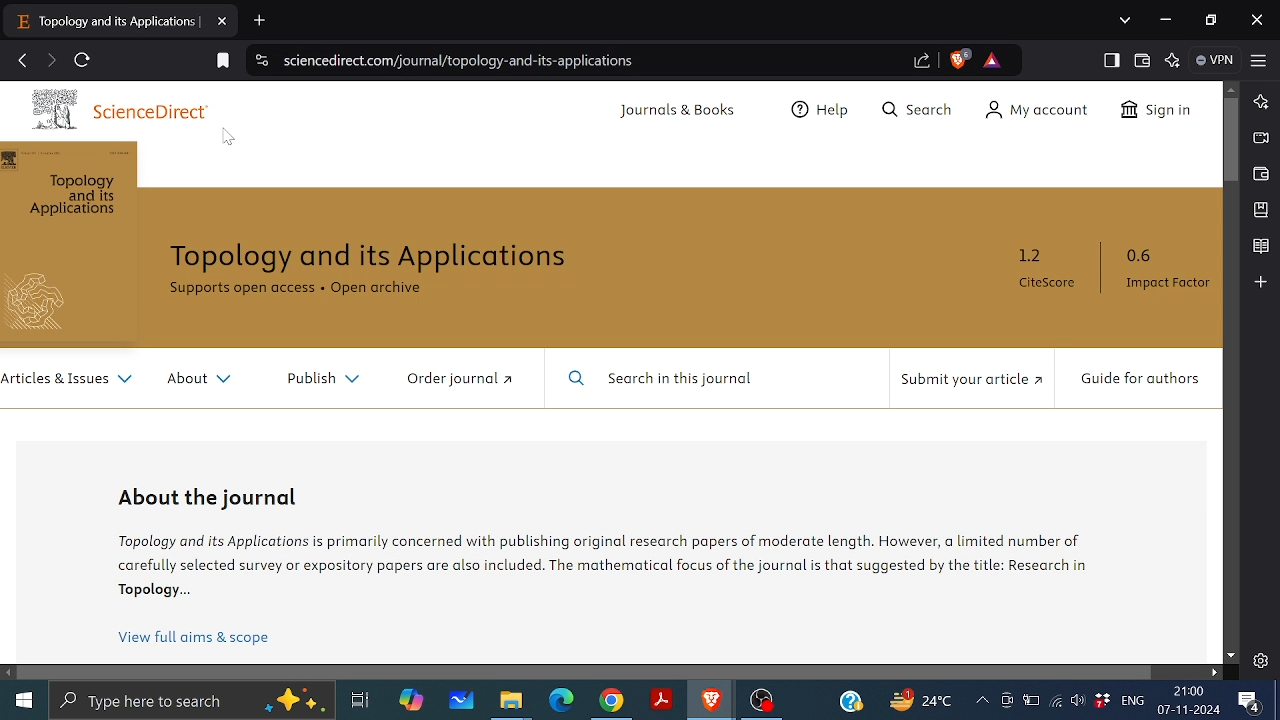 This screenshot has height=720, width=1280. Describe the element at coordinates (23, 59) in the screenshot. I see `Go back` at that location.